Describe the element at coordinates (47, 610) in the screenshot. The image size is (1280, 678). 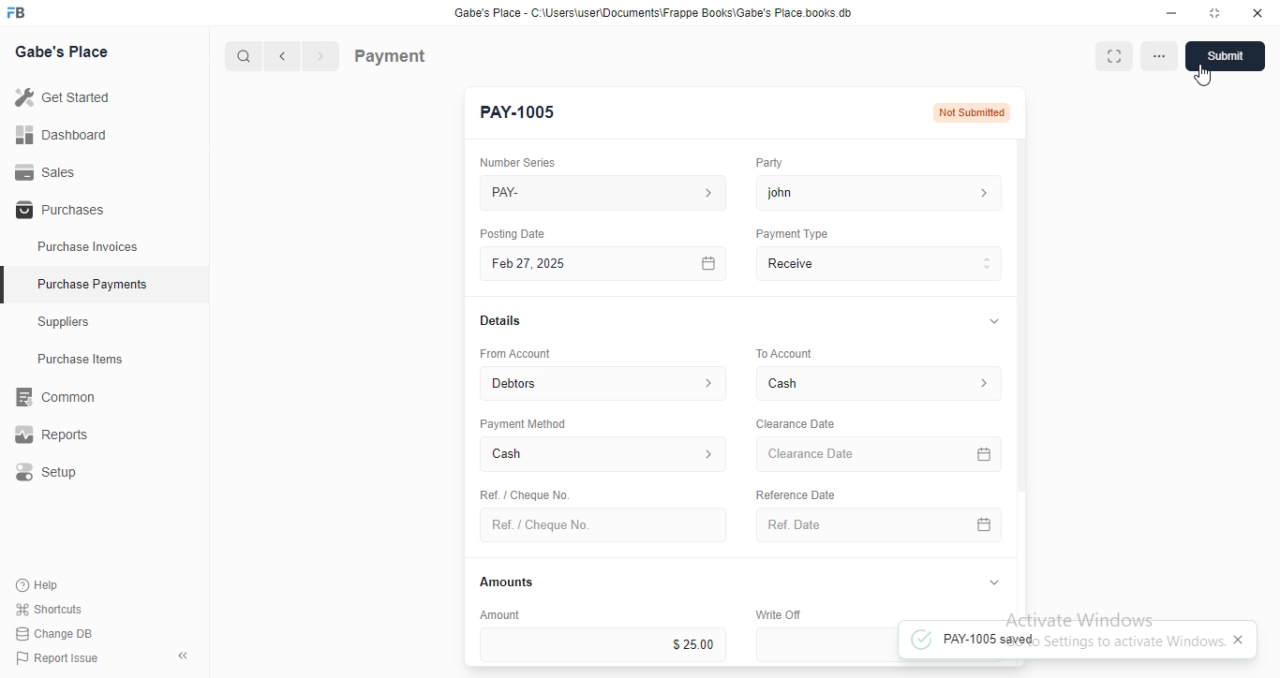
I see `Shortcuts` at that location.